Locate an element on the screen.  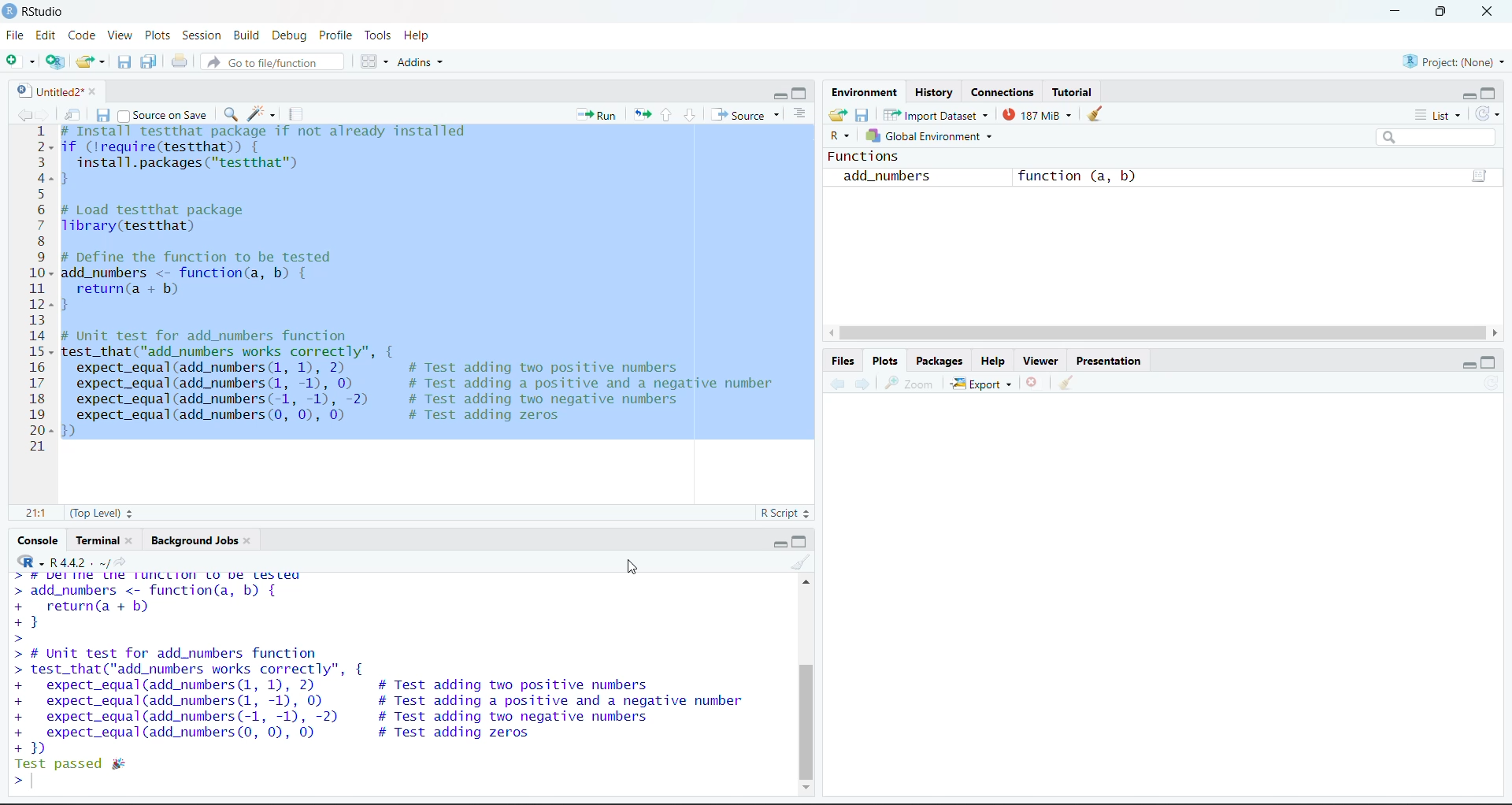
minimize is located at coordinates (780, 93).